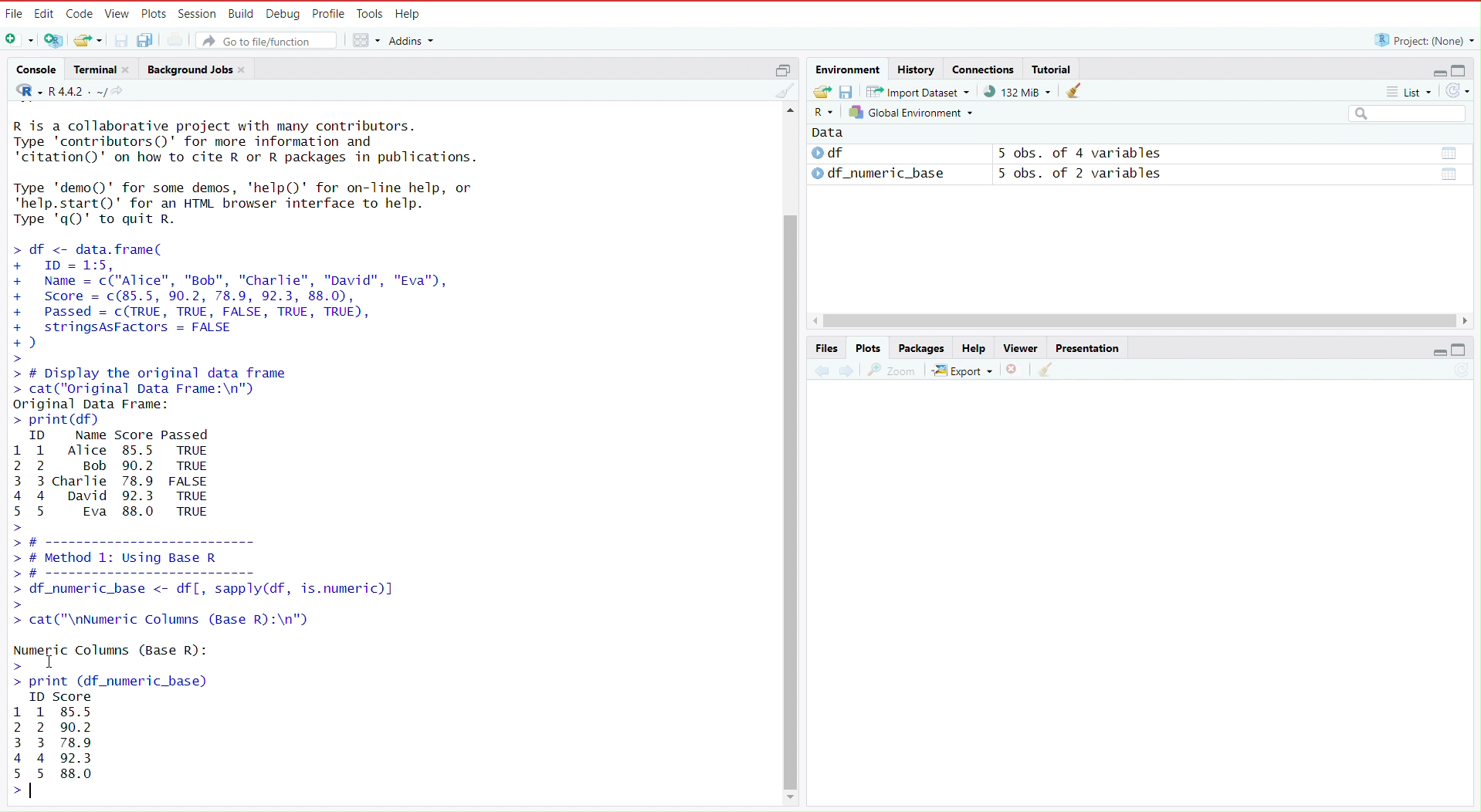  I want to click on maximize, so click(1466, 68).